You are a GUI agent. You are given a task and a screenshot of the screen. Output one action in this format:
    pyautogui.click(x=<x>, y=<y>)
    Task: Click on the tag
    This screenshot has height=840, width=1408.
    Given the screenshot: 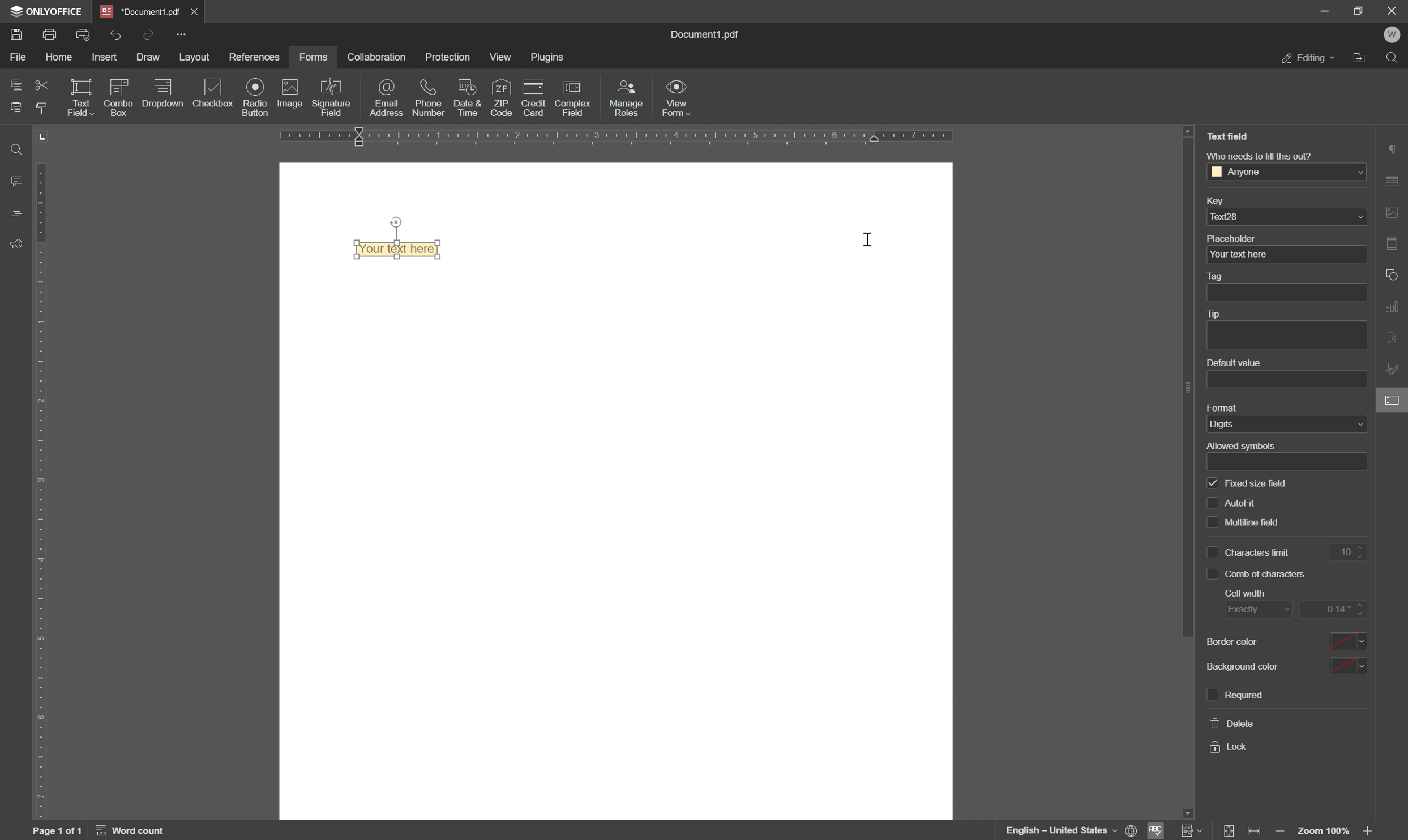 What is the action you would take?
    pyautogui.click(x=1213, y=276)
    